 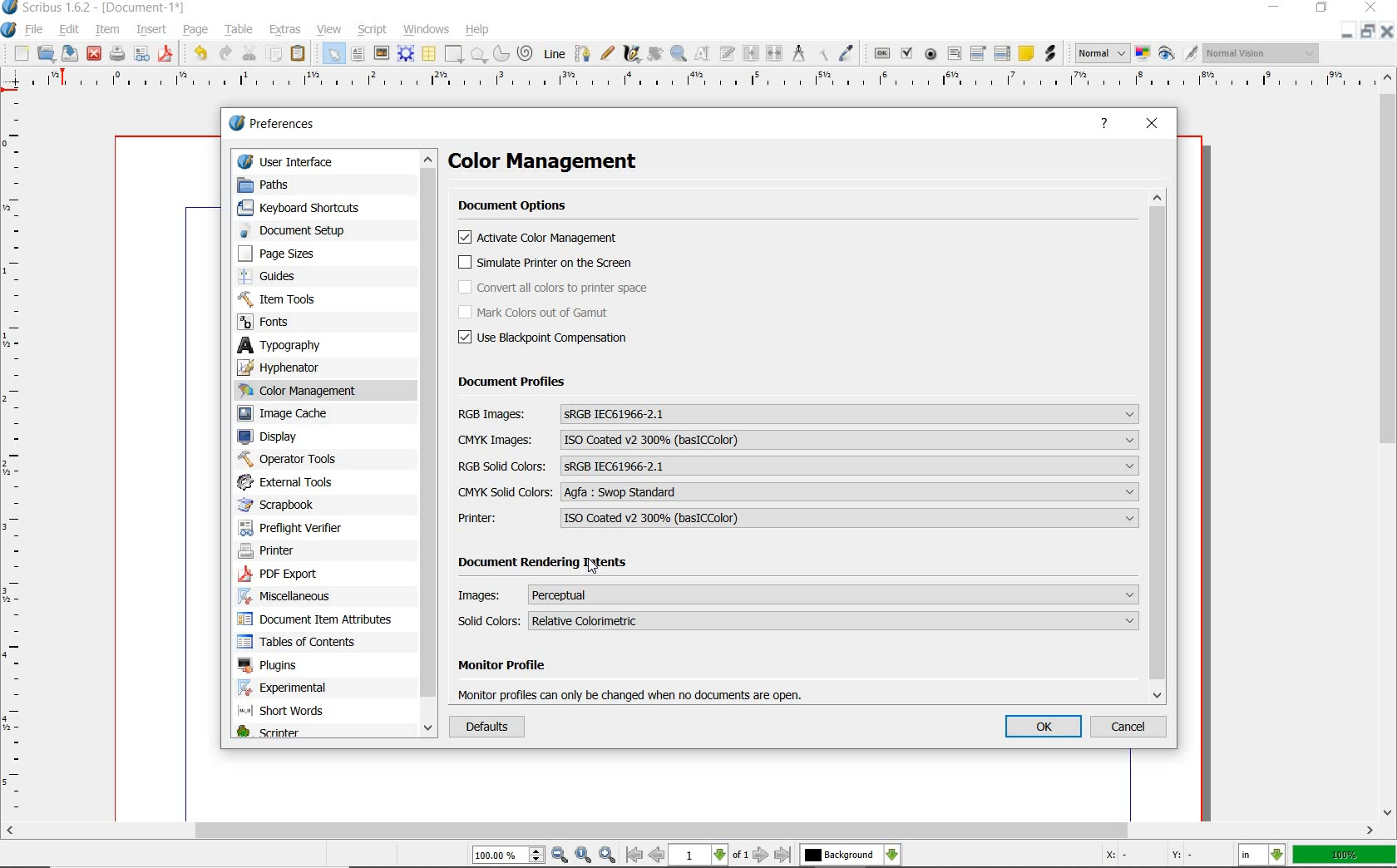 What do you see at coordinates (317, 666) in the screenshot?
I see `plugins` at bounding box center [317, 666].